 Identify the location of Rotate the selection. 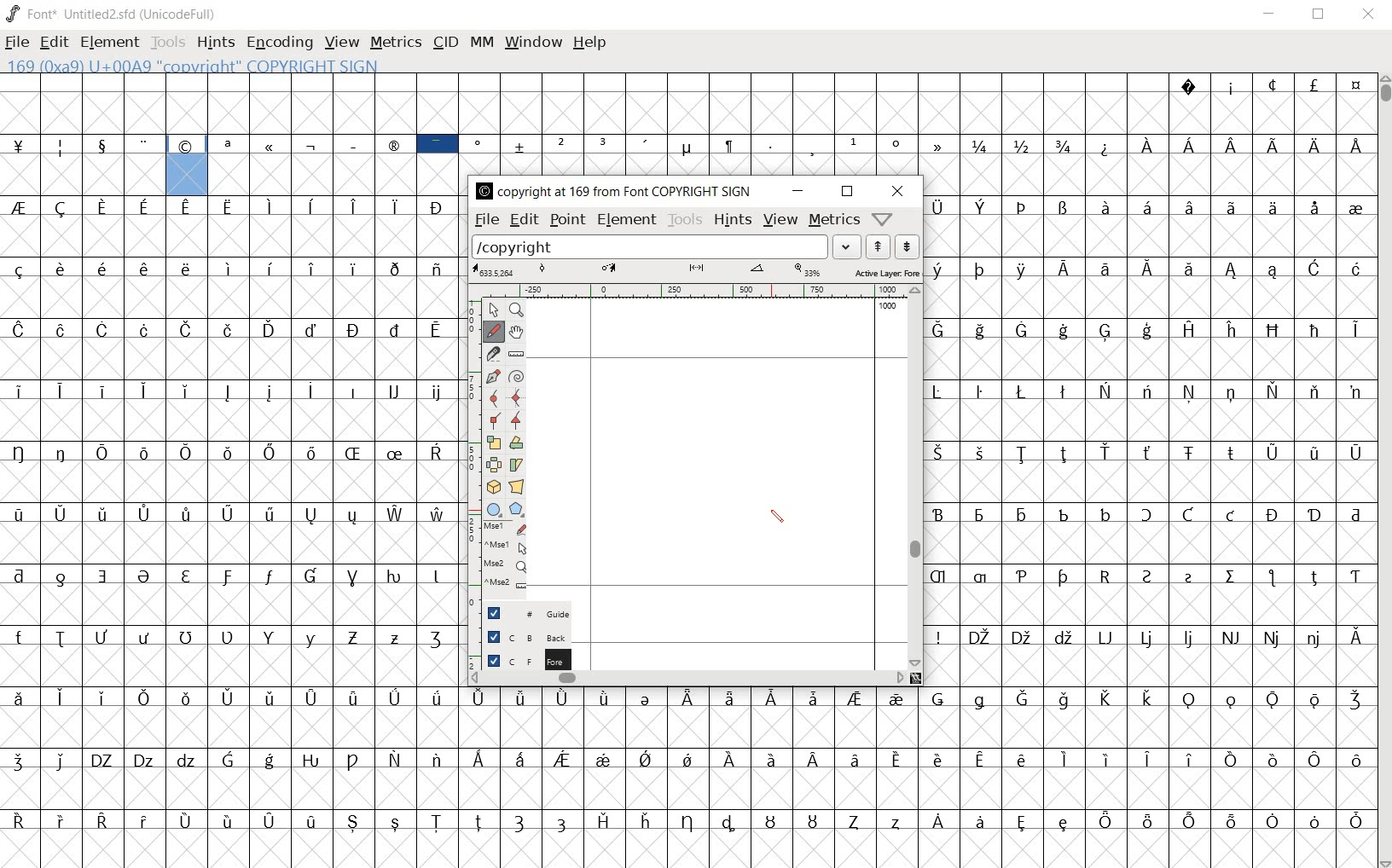
(518, 464).